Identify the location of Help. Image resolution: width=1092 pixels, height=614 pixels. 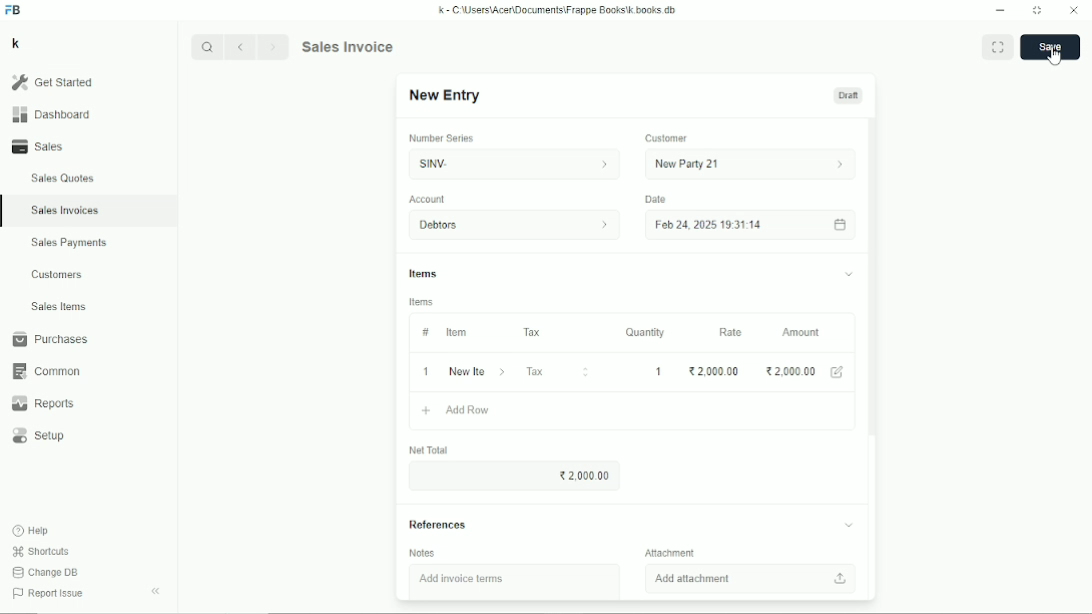
(32, 530).